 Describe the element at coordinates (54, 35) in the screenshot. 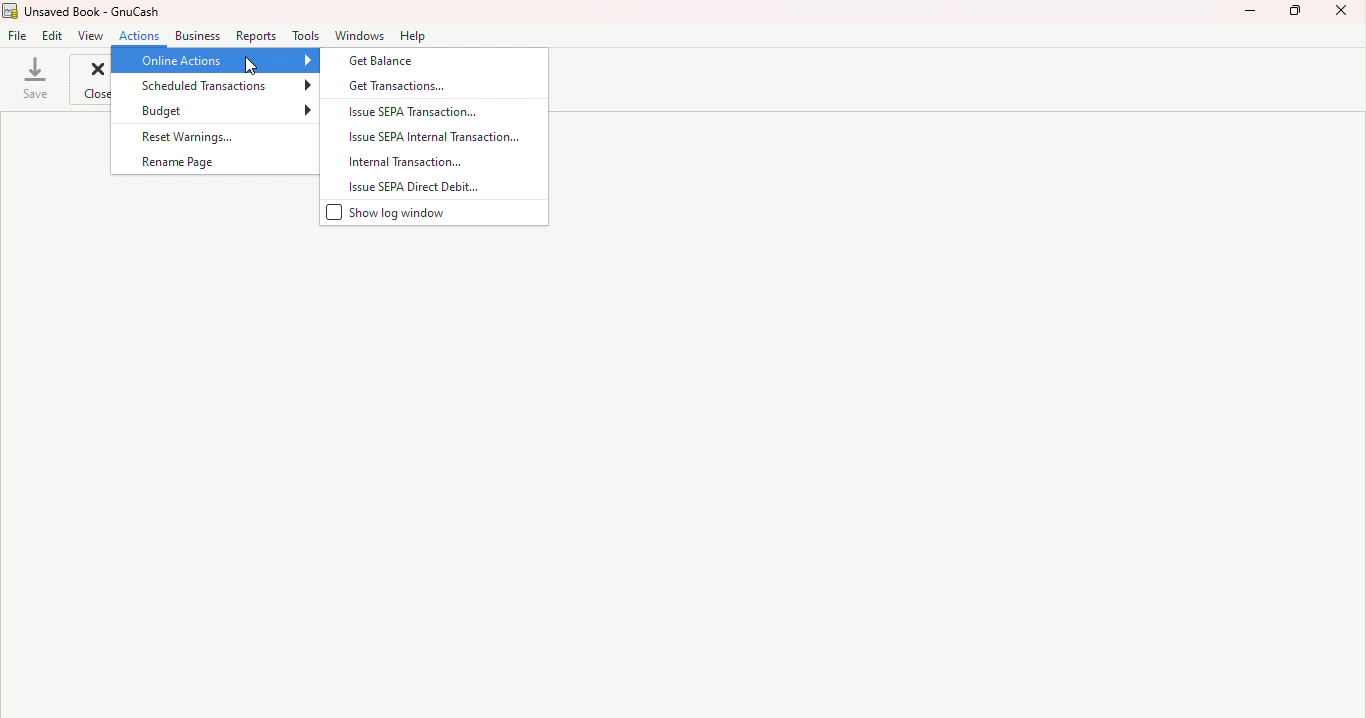

I see `Edit` at that location.